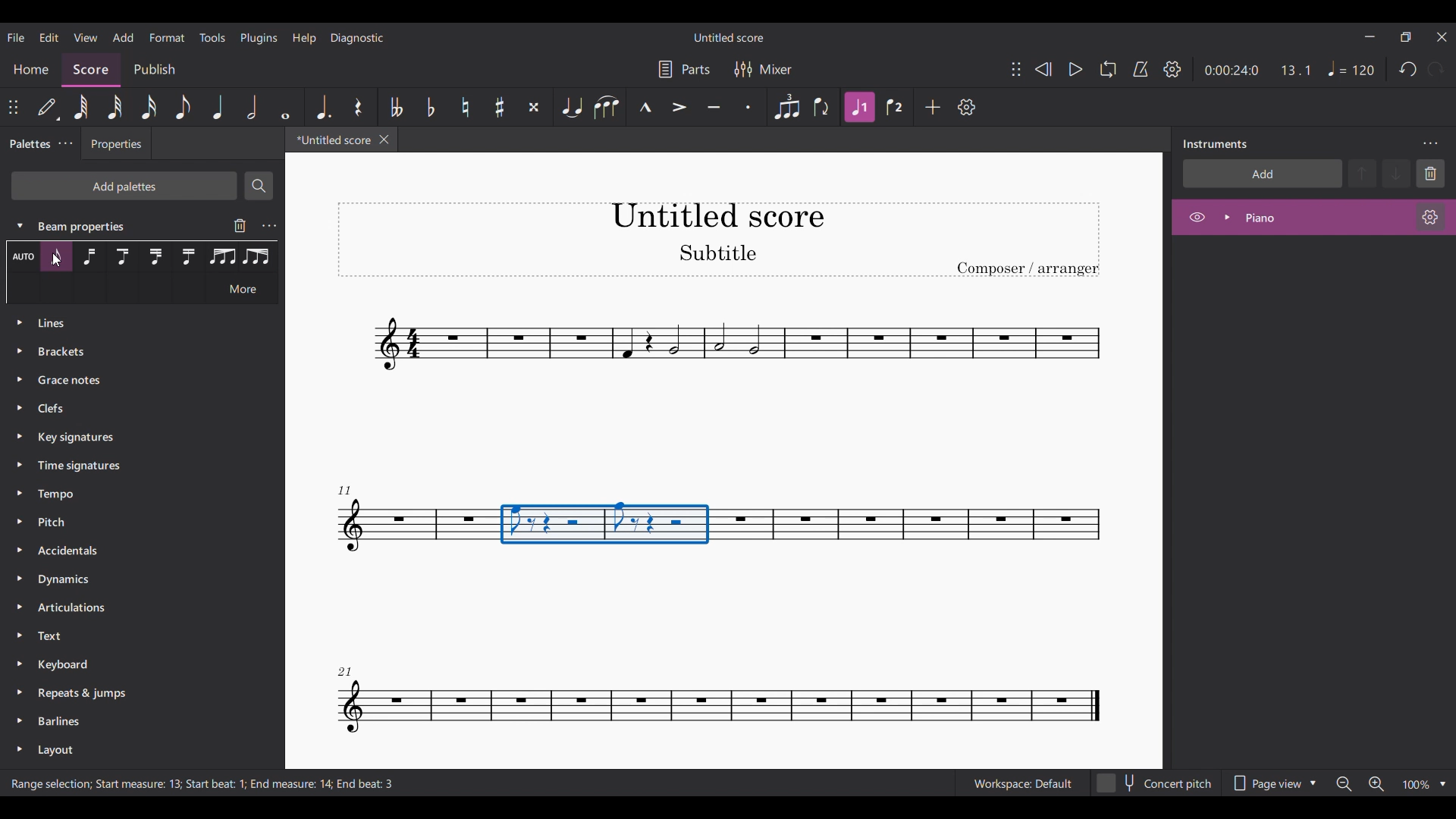  What do you see at coordinates (135, 328) in the screenshot?
I see `Lines` at bounding box center [135, 328].